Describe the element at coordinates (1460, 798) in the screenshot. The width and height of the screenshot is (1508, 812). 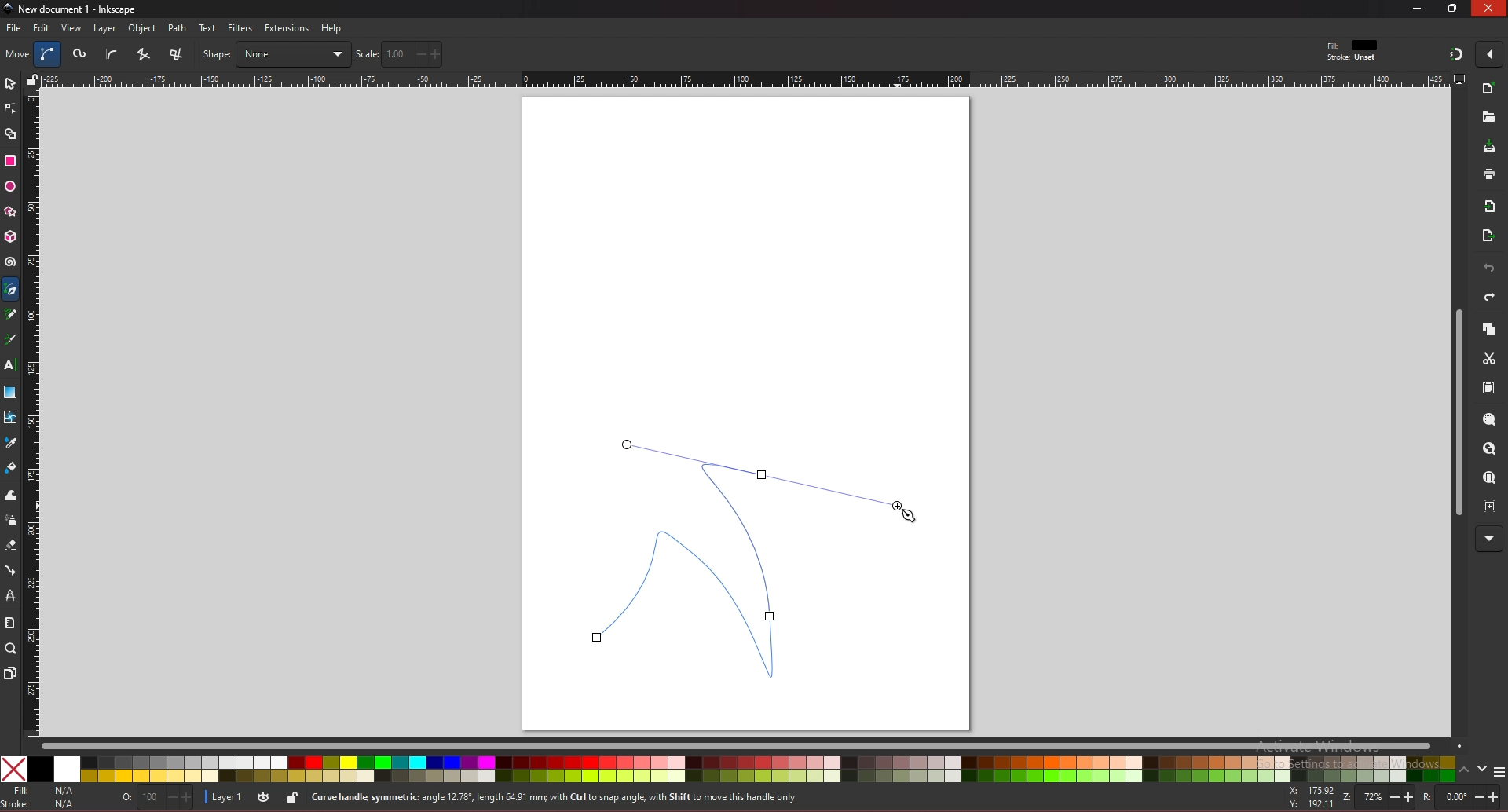
I see `rotate` at that location.